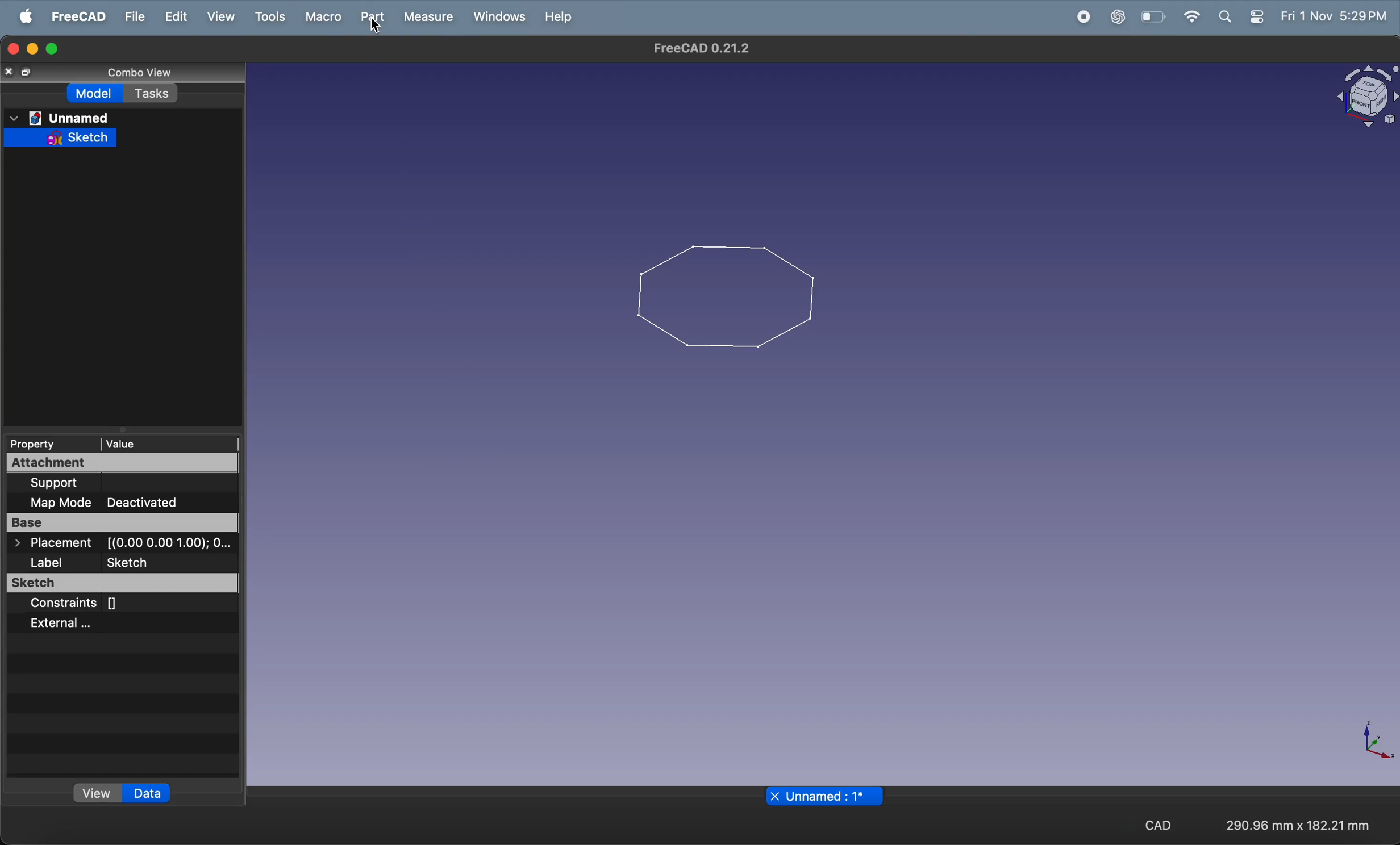 The width and height of the screenshot is (1400, 845). What do you see at coordinates (87, 603) in the screenshot?
I see `constraints` at bounding box center [87, 603].